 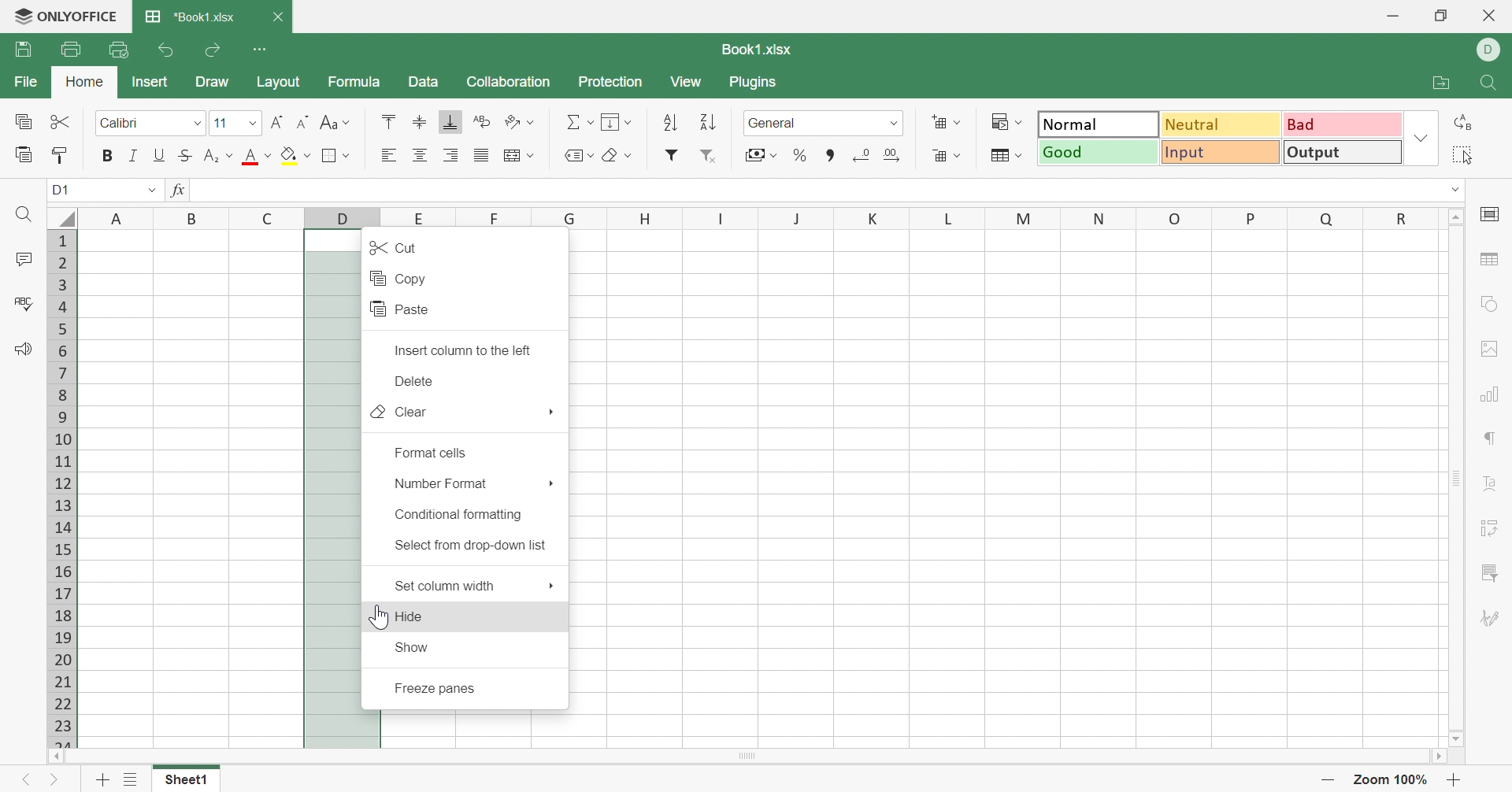 What do you see at coordinates (830, 154) in the screenshot?
I see `Comma style` at bounding box center [830, 154].